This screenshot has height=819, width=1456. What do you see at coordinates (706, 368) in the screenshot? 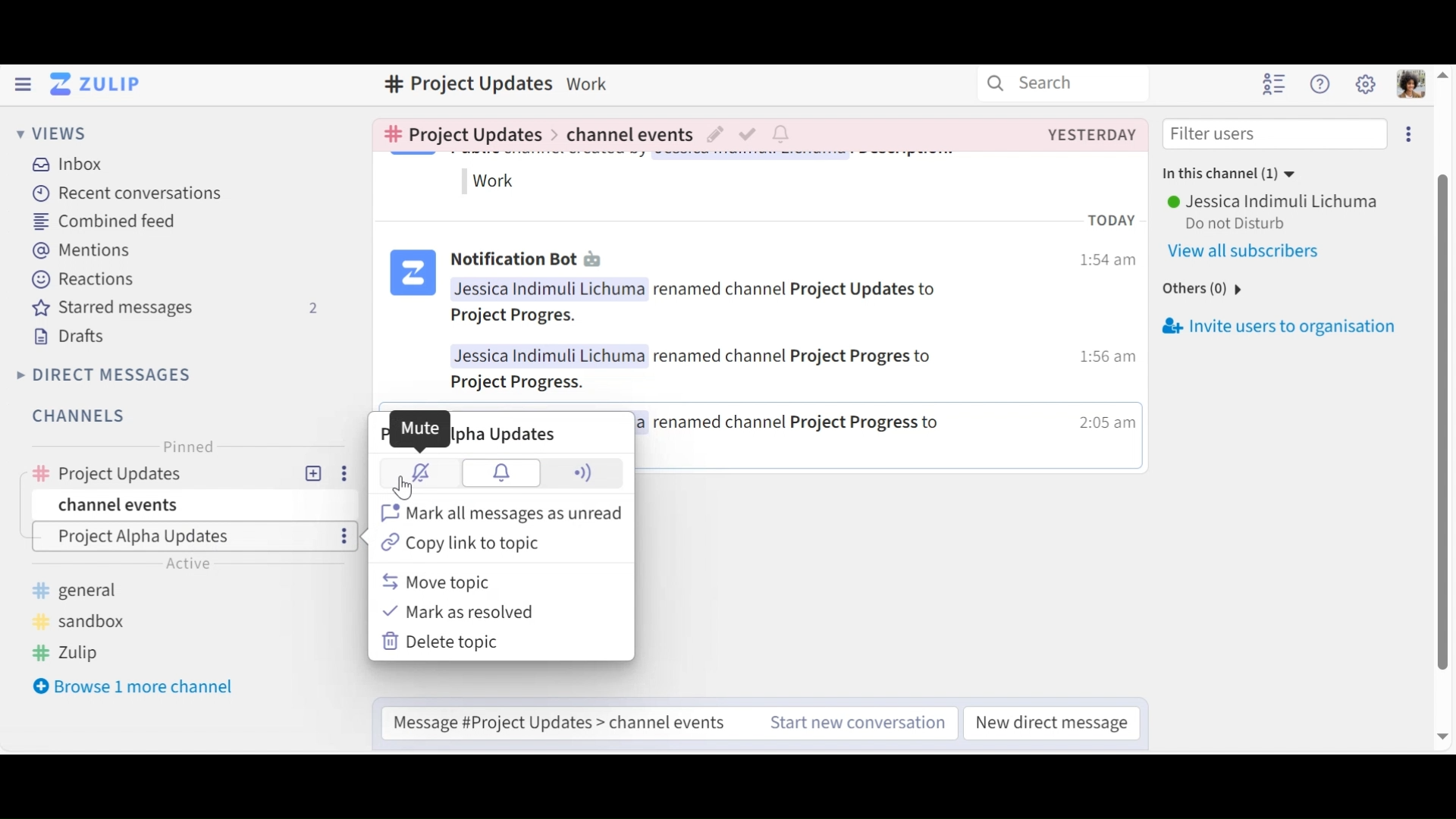
I see `Jessica Indimuli Lichuma renamed channel Project Progres to
Project Progress.` at bounding box center [706, 368].